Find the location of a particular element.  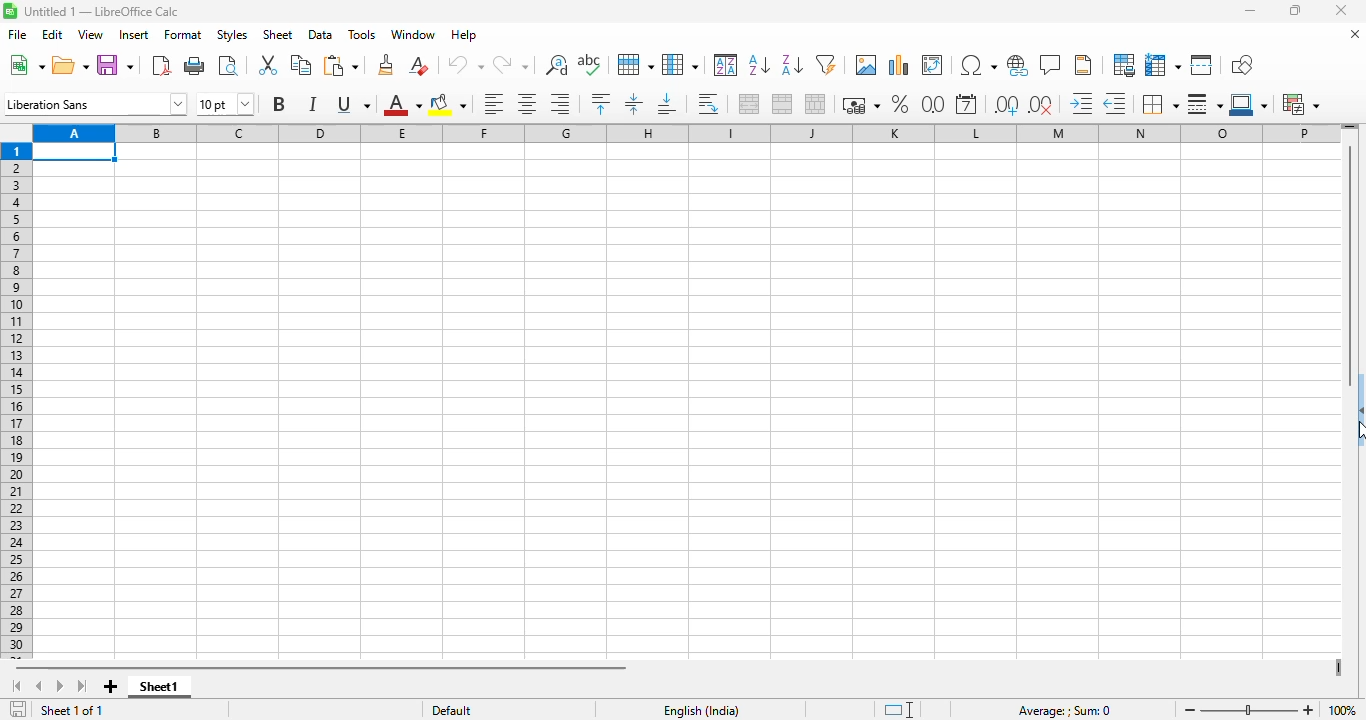

help is located at coordinates (464, 35).